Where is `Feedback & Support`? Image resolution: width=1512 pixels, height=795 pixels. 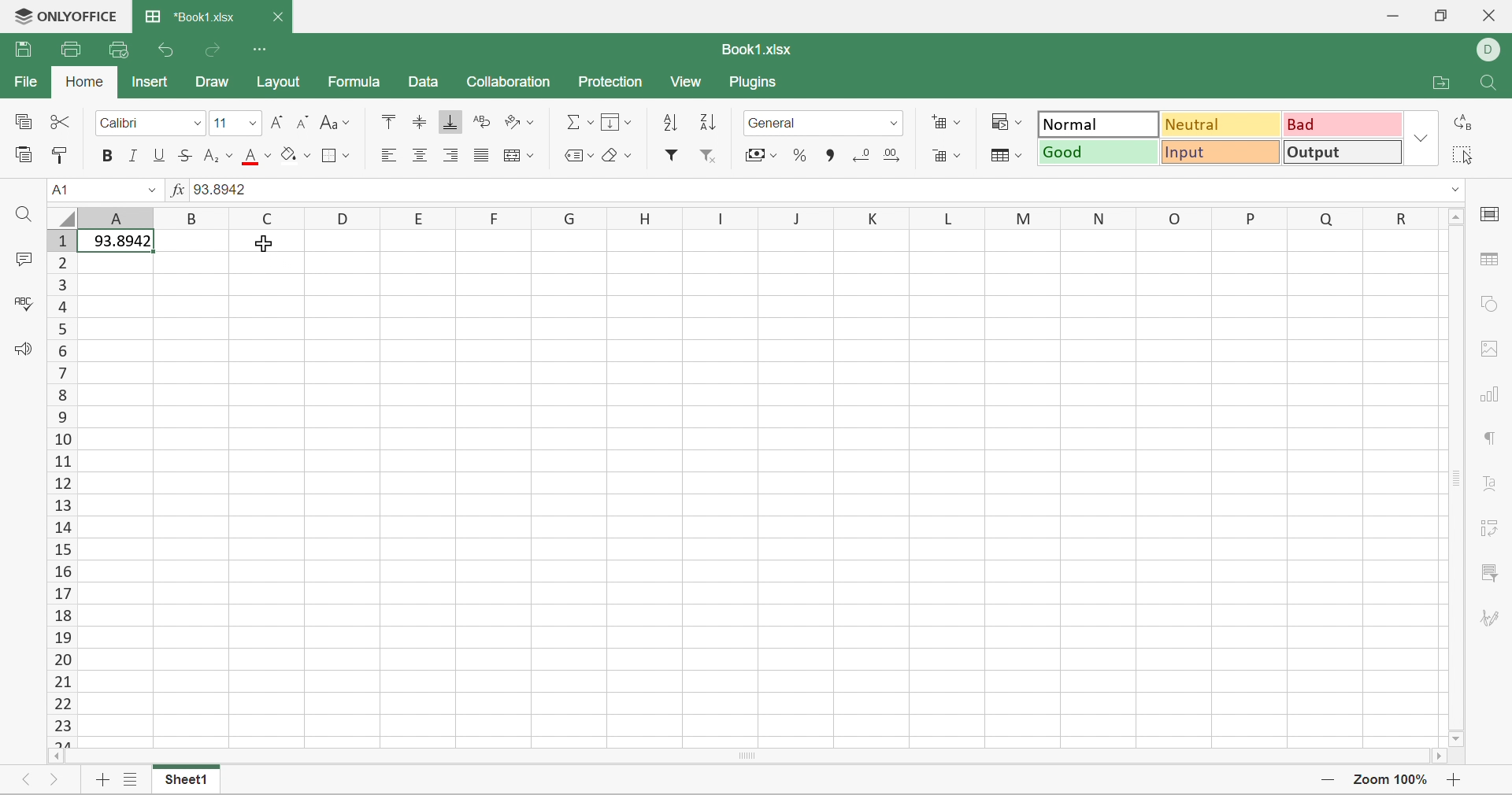 Feedback & Support is located at coordinates (27, 350).